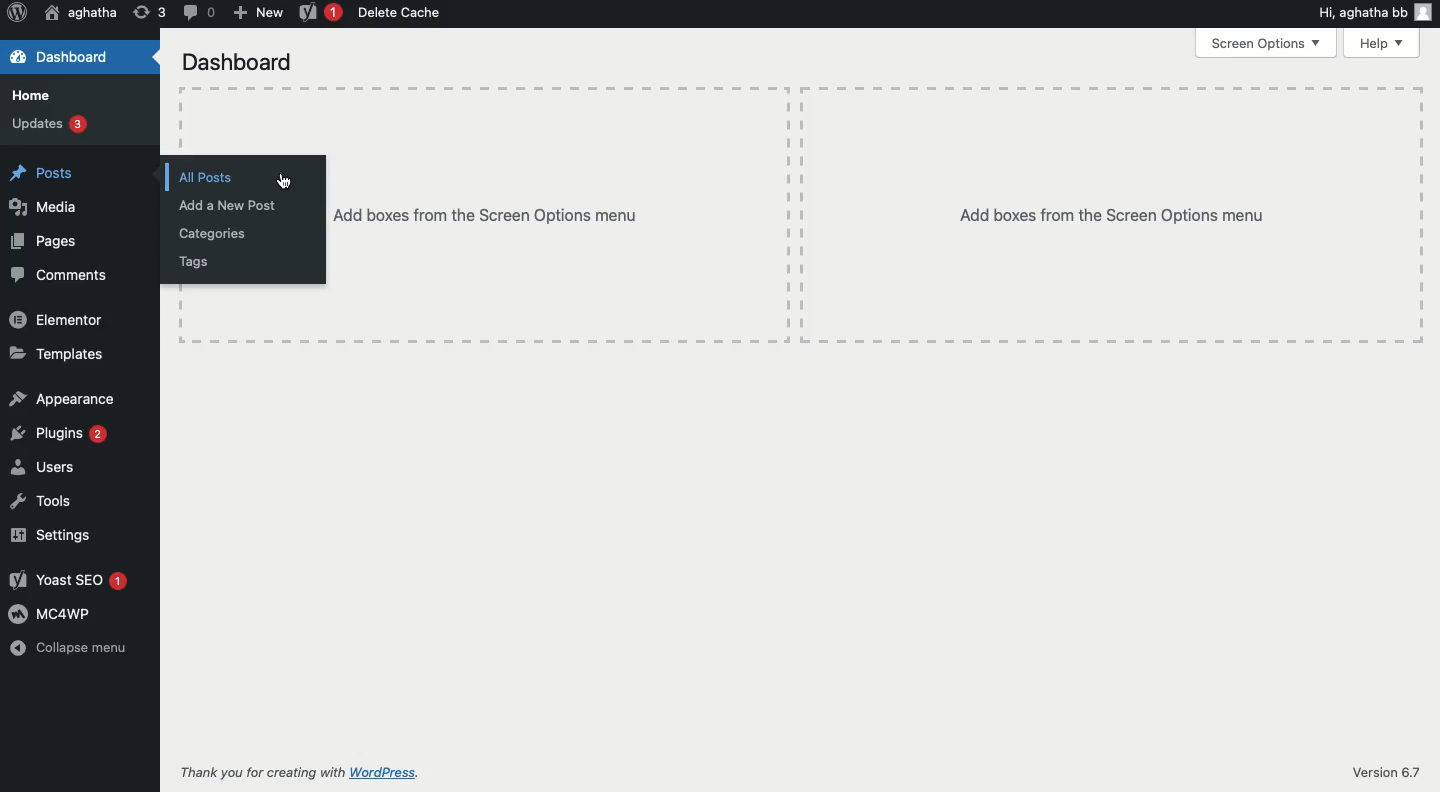 The image size is (1440, 792). Describe the element at coordinates (403, 14) in the screenshot. I see `Delete cache` at that location.